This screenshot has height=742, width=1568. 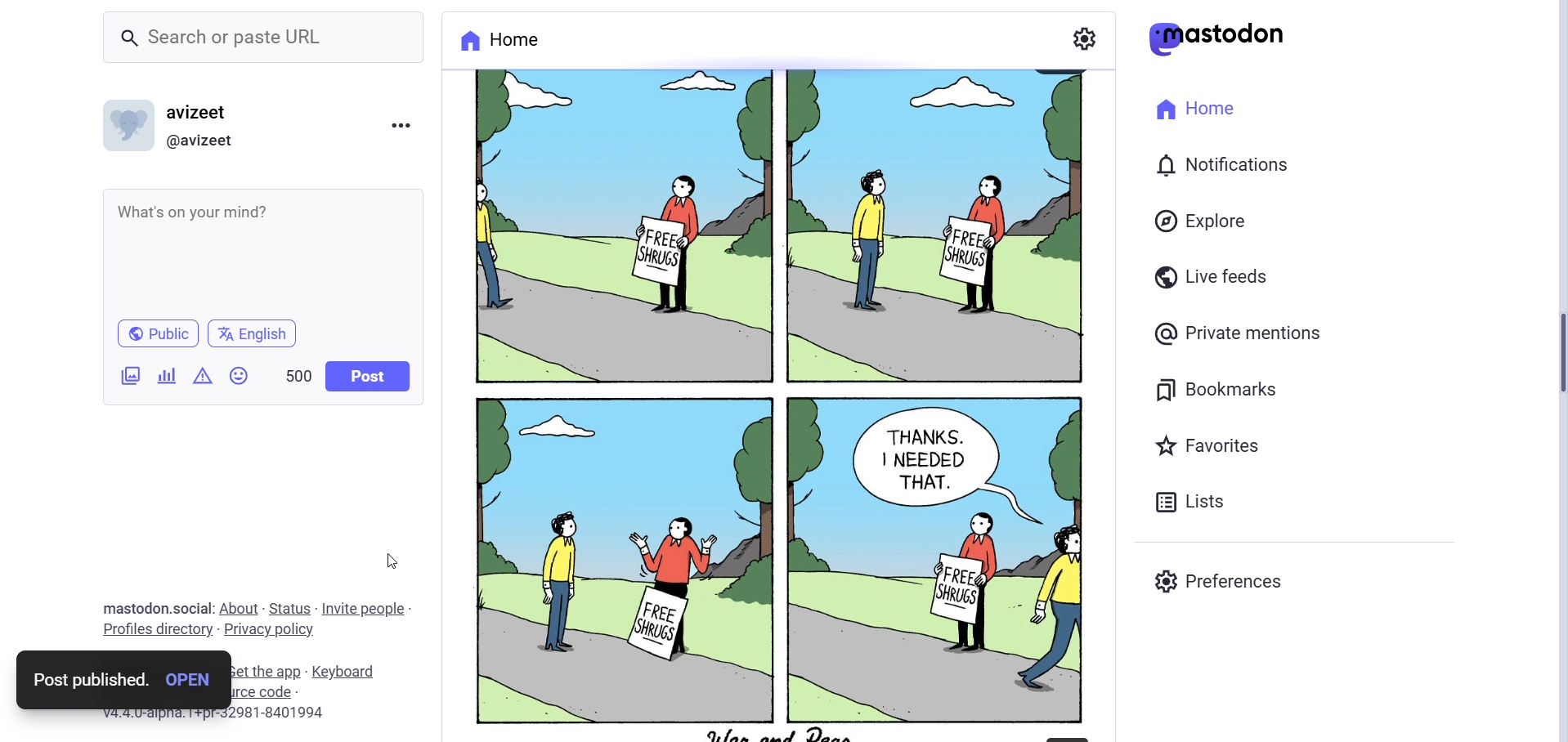 What do you see at coordinates (203, 378) in the screenshot?
I see `Content Warning` at bounding box center [203, 378].